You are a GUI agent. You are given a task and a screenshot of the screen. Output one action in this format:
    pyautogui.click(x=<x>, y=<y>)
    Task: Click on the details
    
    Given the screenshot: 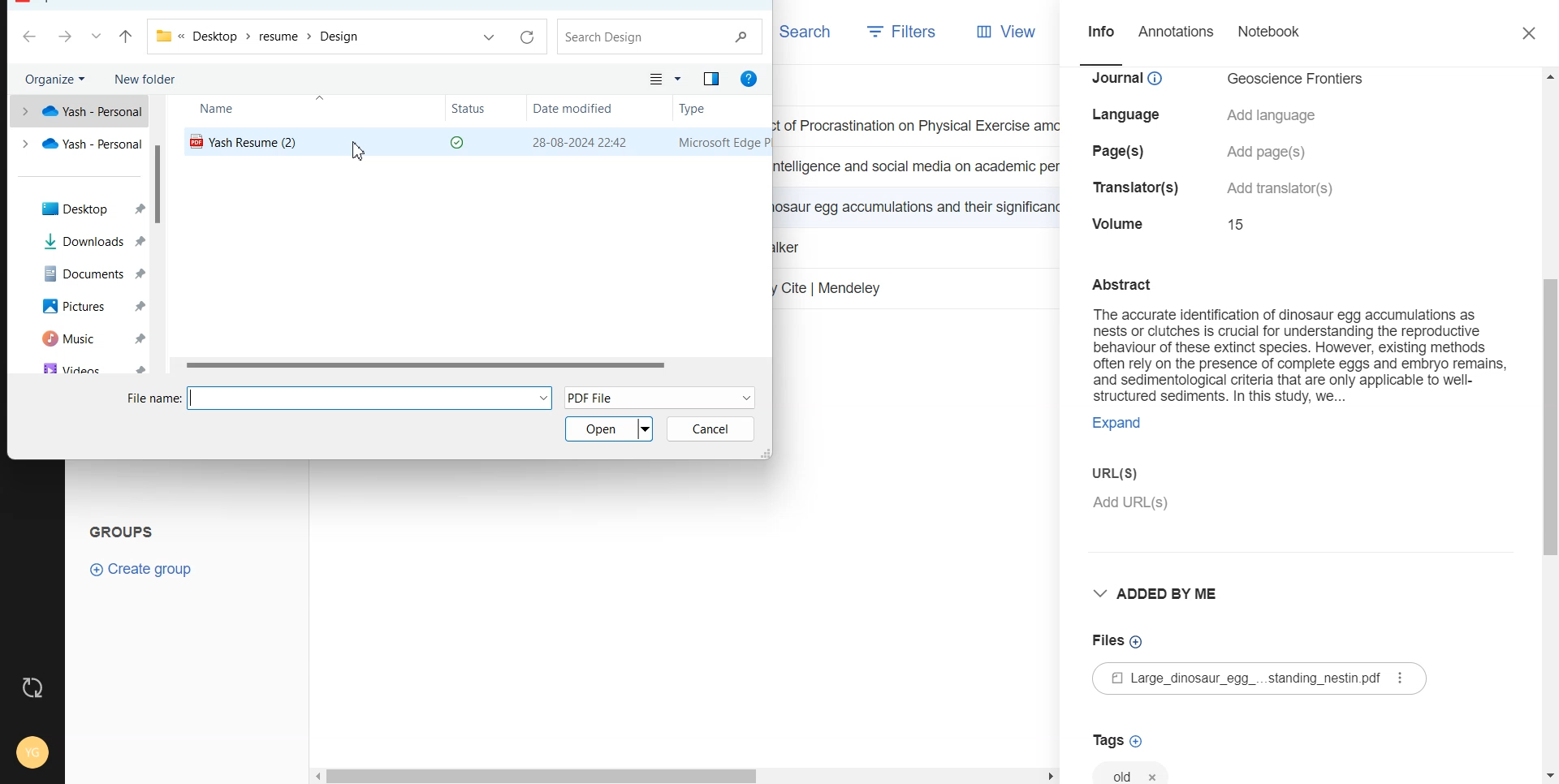 What is the action you would take?
    pyautogui.click(x=1133, y=80)
    